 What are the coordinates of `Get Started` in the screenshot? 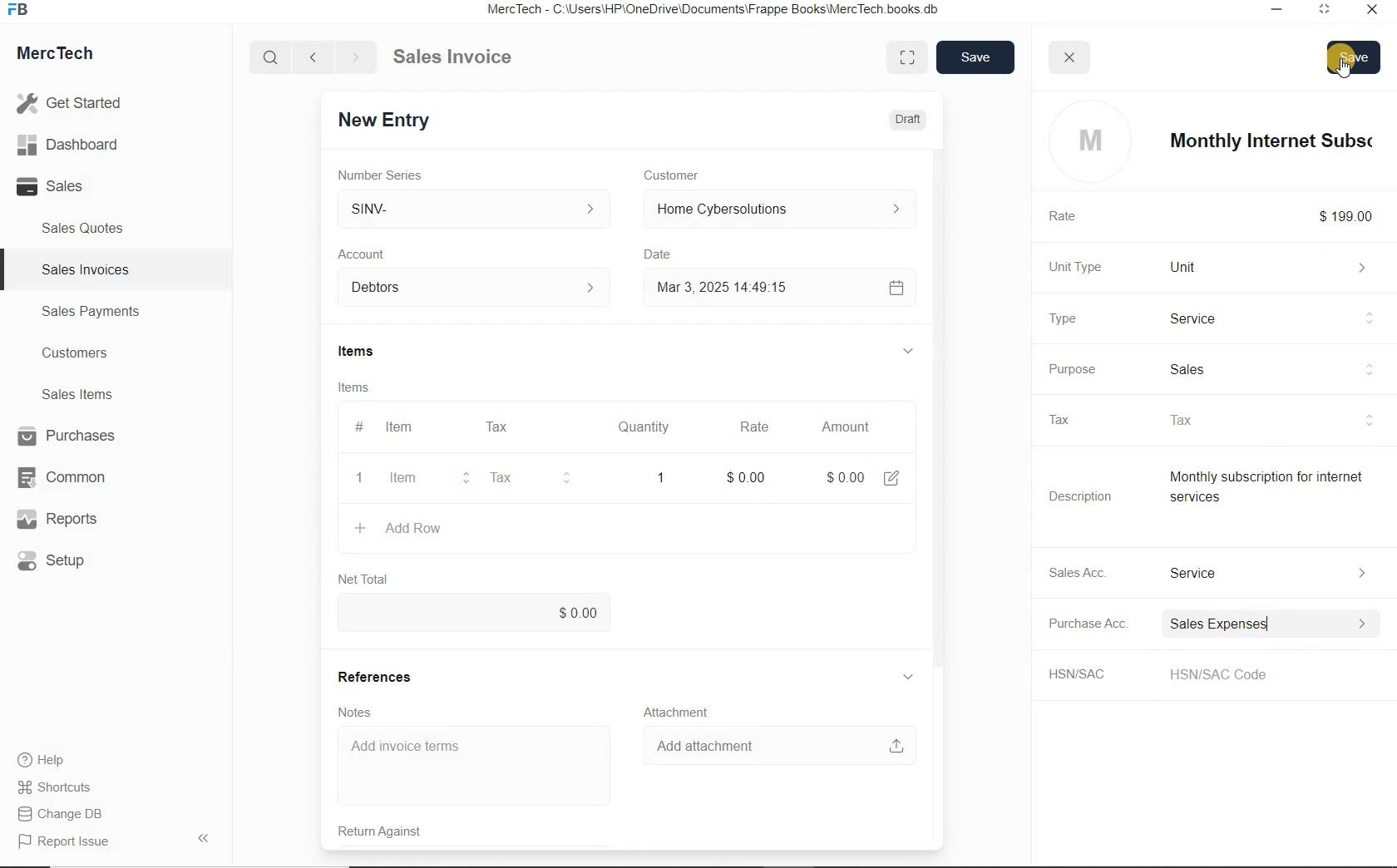 It's located at (75, 103).